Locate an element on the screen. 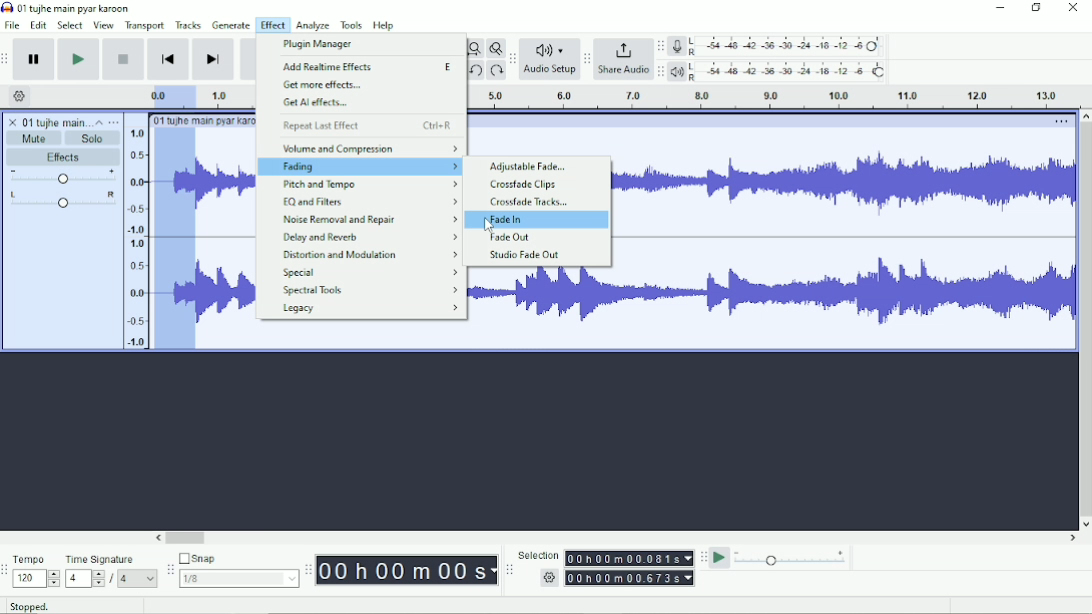  Vertical meter is located at coordinates (133, 237).